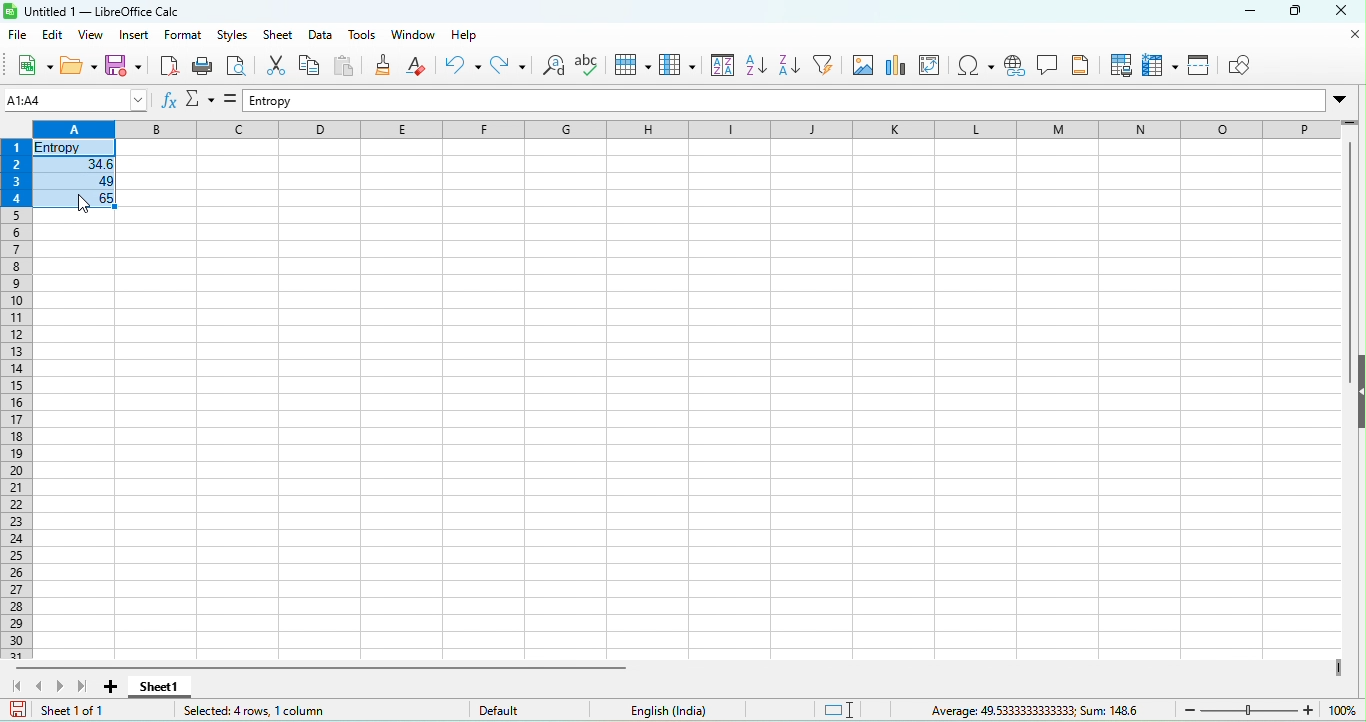 This screenshot has height=722, width=1366. Describe the element at coordinates (1353, 237) in the screenshot. I see `vertical scroll bar` at that location.